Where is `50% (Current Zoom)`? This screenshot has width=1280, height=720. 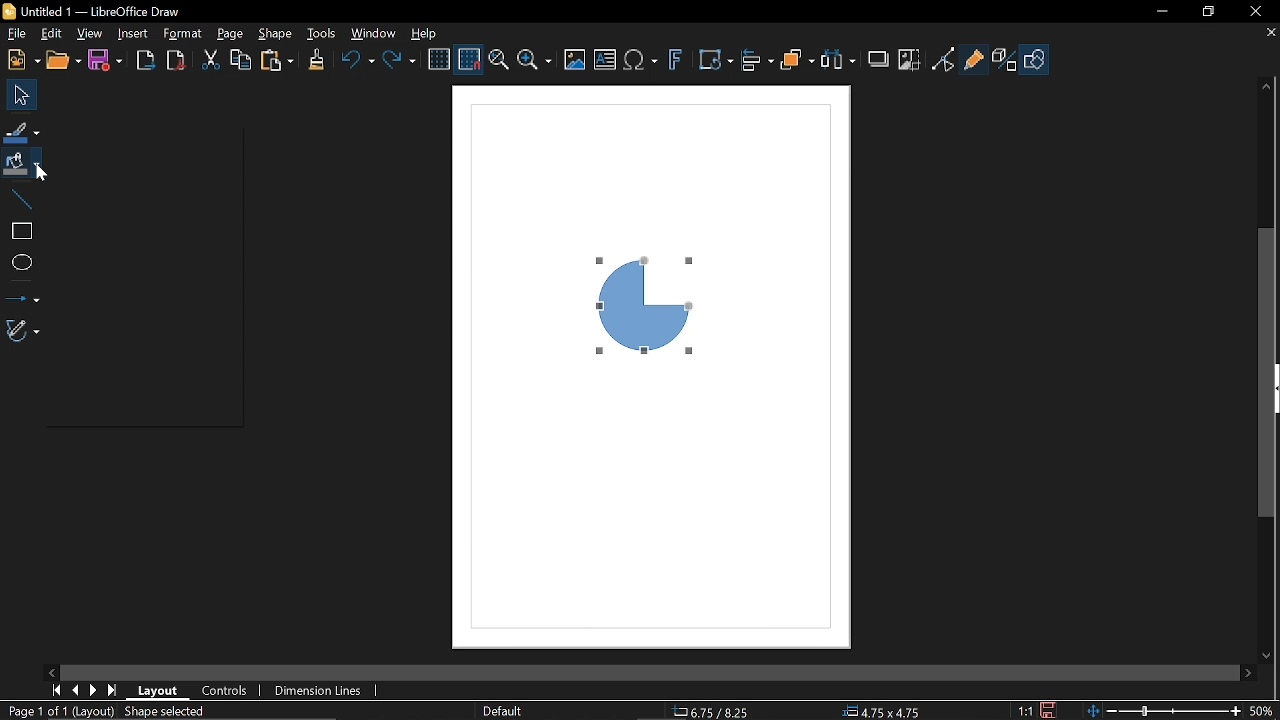
50% (Current Zoom) is located at coordinates (1264, 708).